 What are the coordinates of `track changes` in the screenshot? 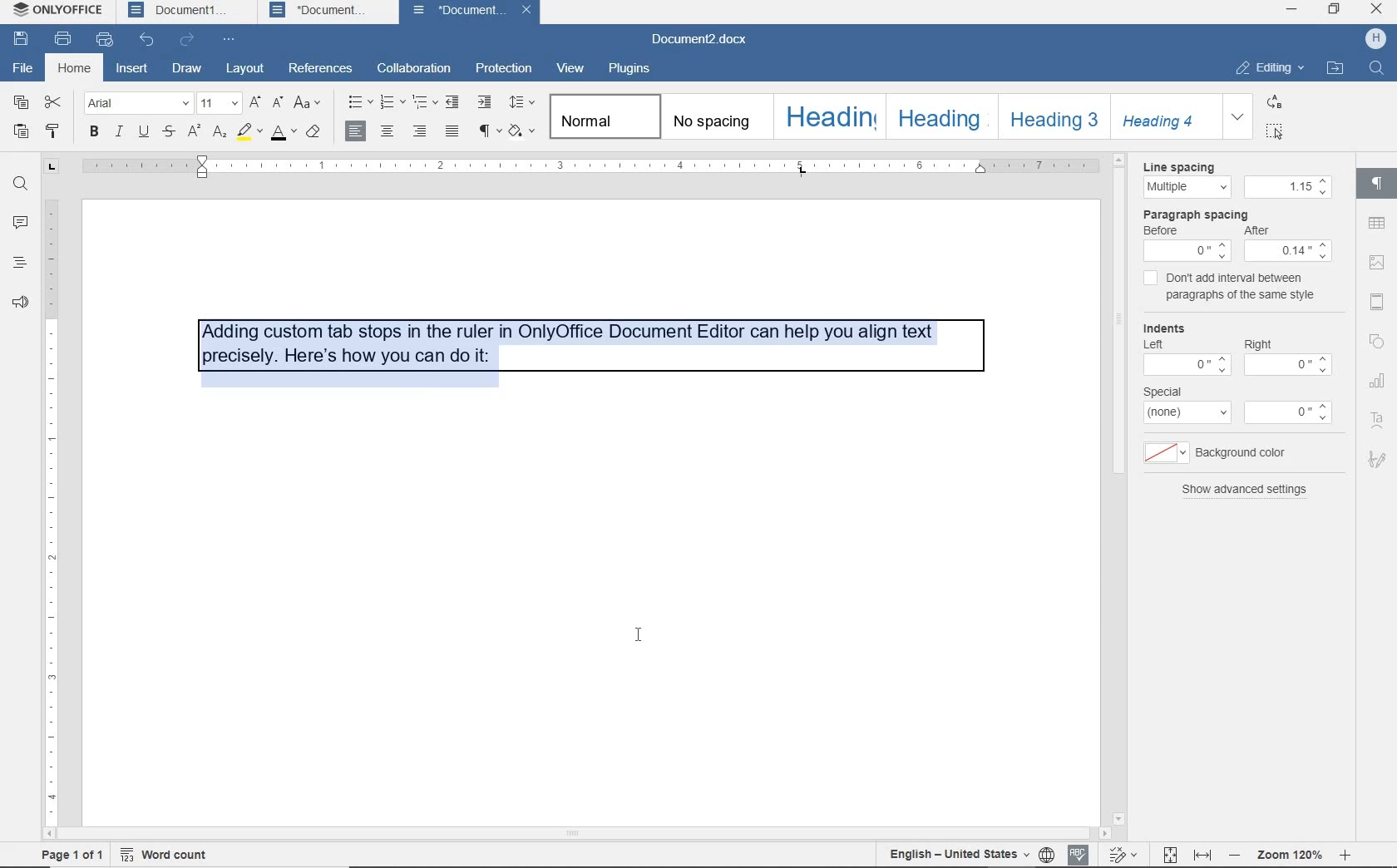 It's located at (1126, 855).